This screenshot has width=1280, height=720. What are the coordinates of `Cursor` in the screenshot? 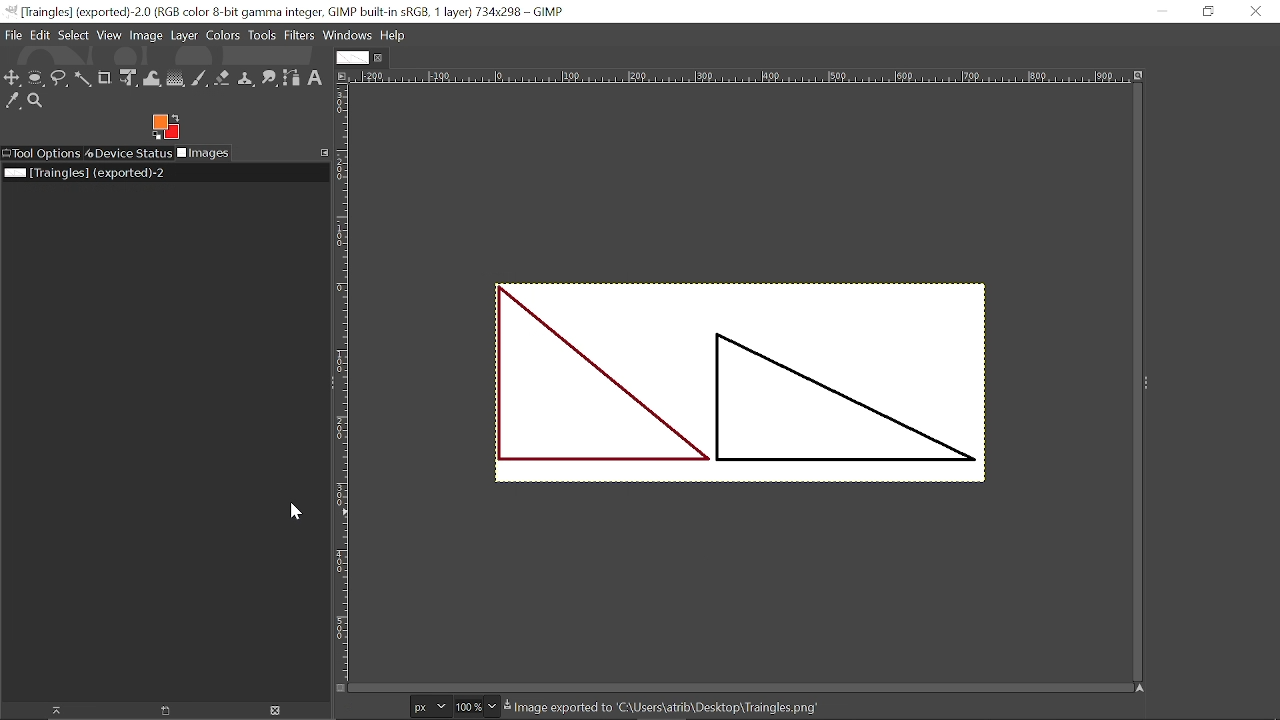 It's located at (299, 512).